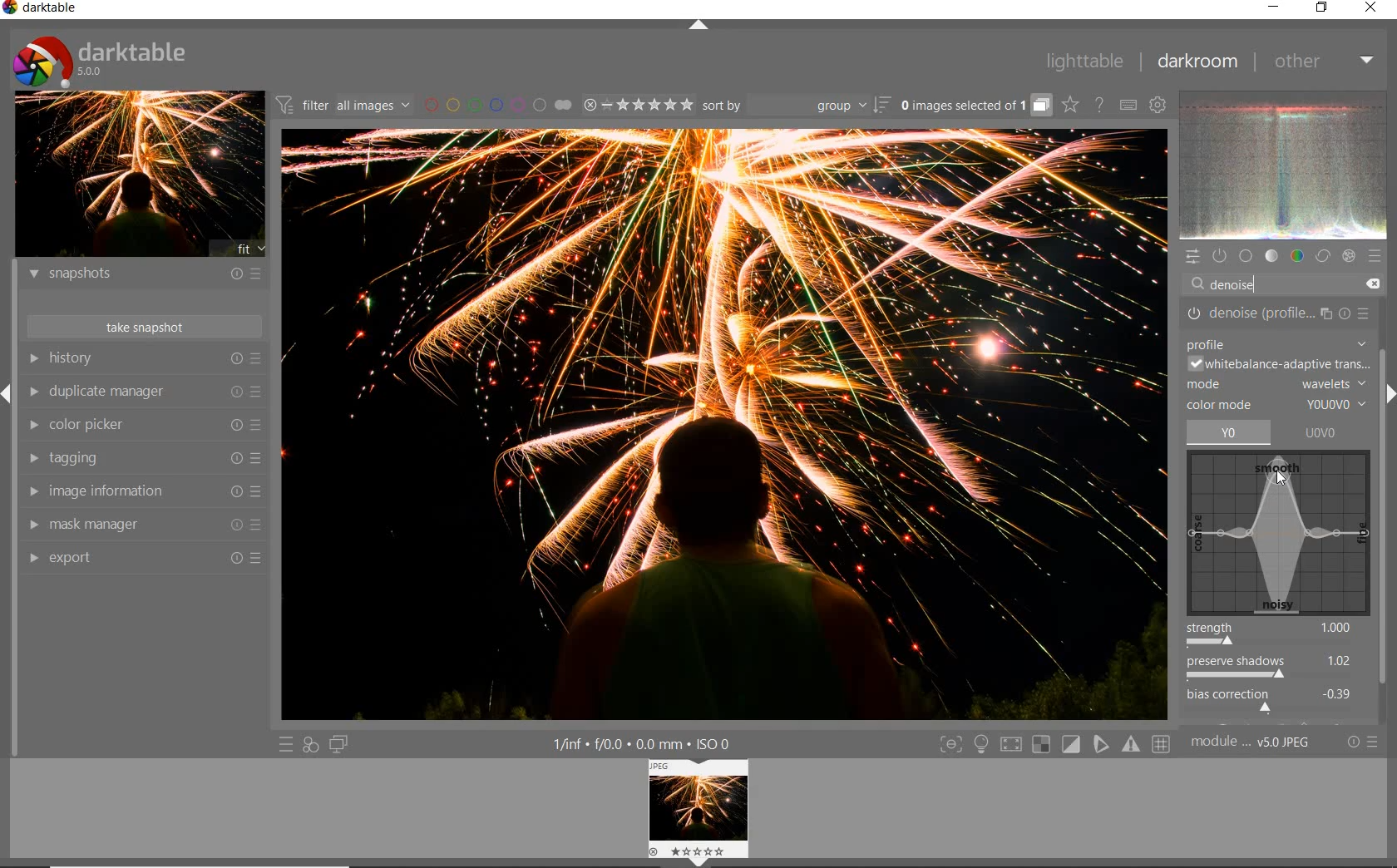 This screenshot has height=868, width=1397. What do you see at coordinates (1276, 406) in the screenshot?
I see `COLOR MODE` at bounding box center [1276, 406].